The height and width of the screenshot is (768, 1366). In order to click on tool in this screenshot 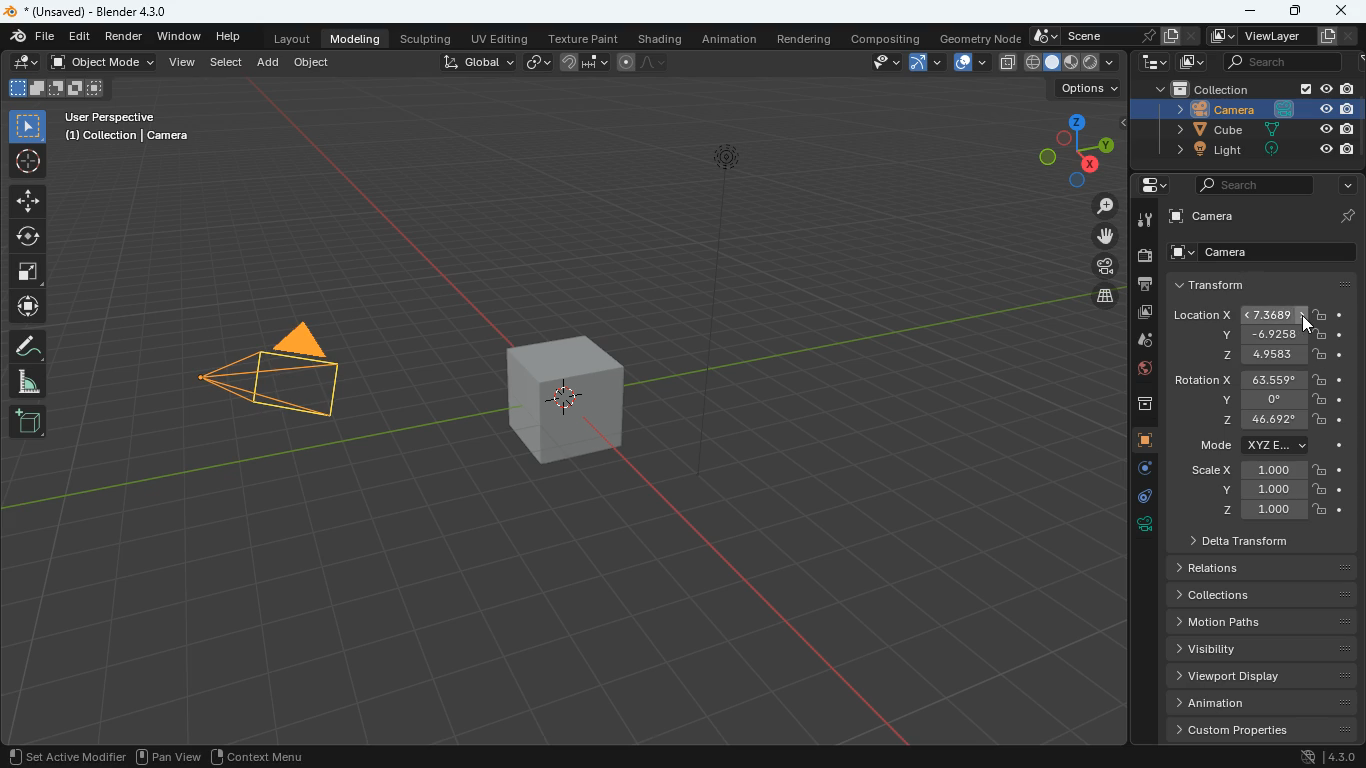, I will do `click(1145, 223)`.